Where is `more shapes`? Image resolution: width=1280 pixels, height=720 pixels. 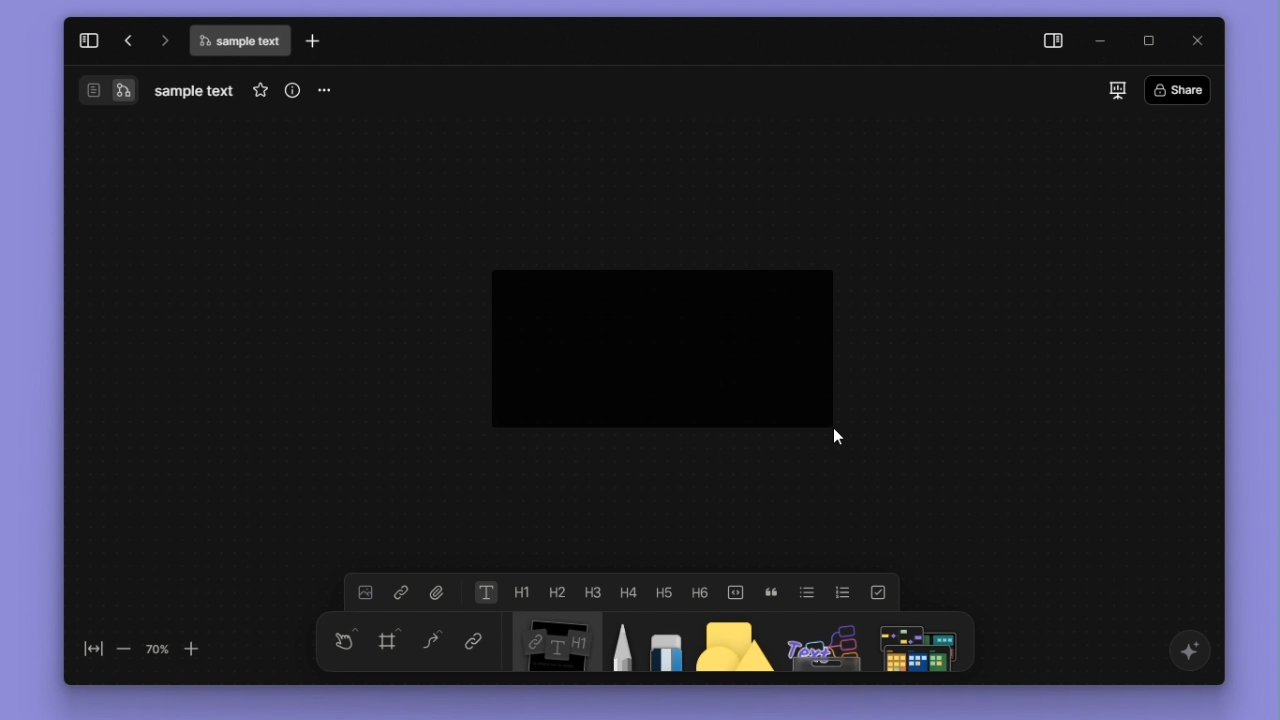 more shapes is located at coordinates (922, 642).